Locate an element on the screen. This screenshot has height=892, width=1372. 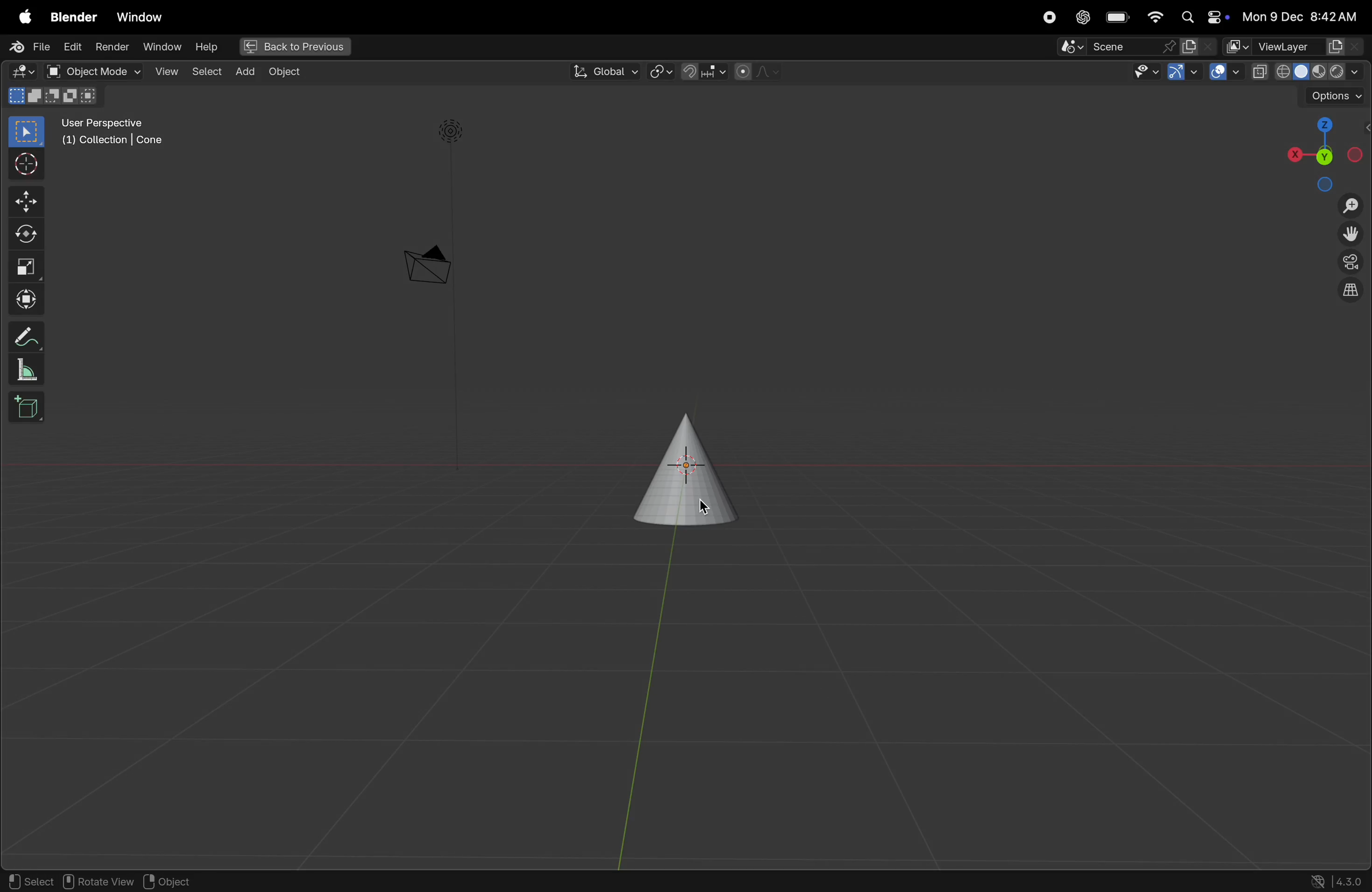
global is located at coordinates (605, 71).